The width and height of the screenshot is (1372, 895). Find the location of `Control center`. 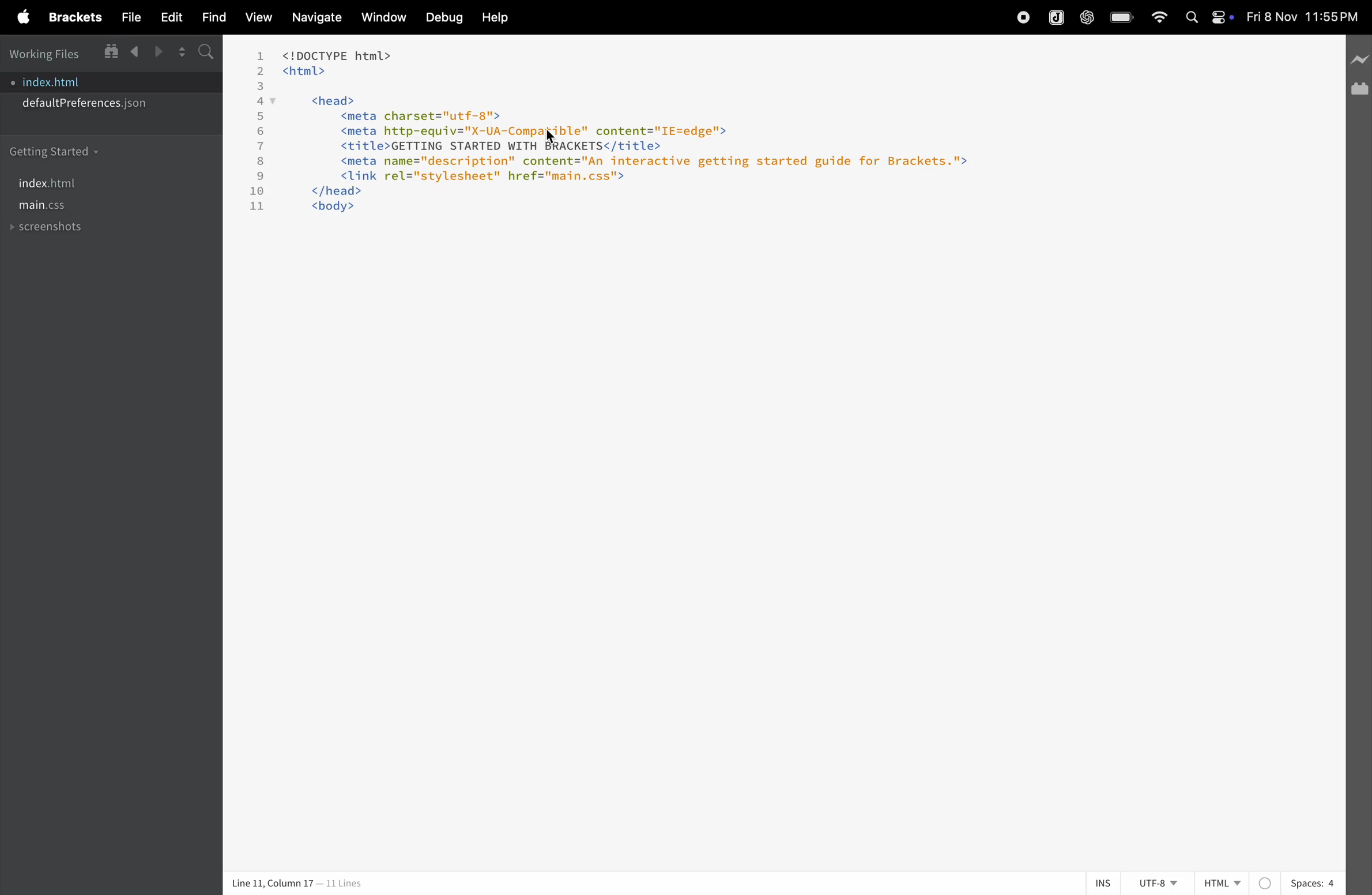

Control center is located at coordinates (1222, 19).